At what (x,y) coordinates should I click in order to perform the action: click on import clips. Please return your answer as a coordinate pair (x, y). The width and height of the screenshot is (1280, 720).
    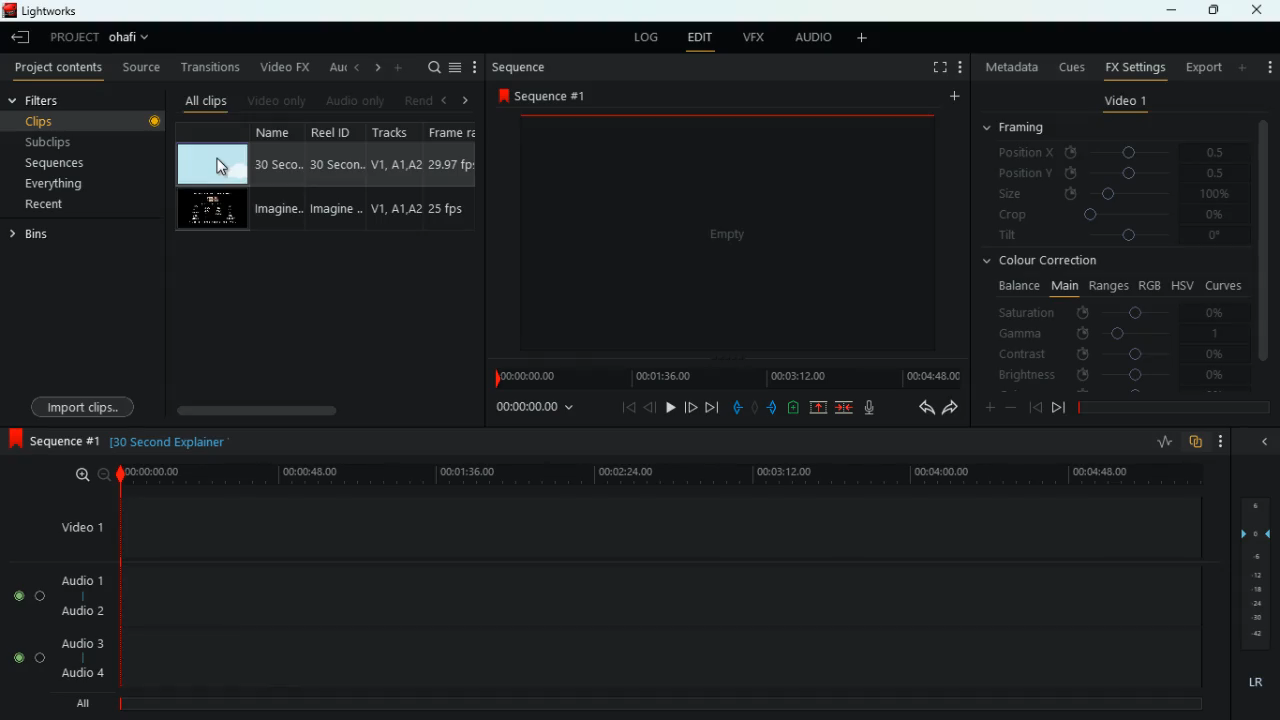
    Looking at the image, I should click on (83, 405).